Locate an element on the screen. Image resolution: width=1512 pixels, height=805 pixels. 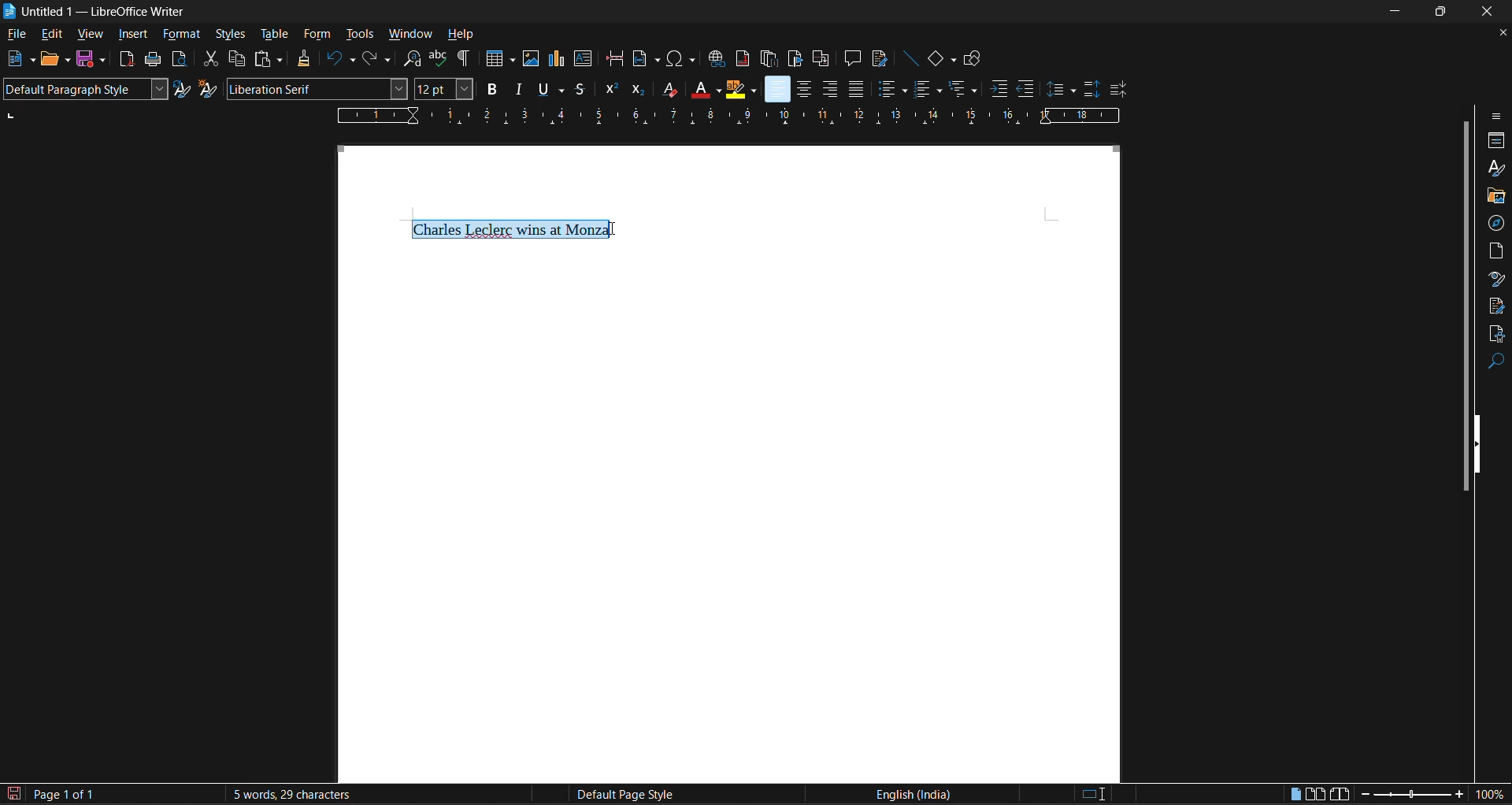
toggle ordered list is located at coordinates (928, 88).